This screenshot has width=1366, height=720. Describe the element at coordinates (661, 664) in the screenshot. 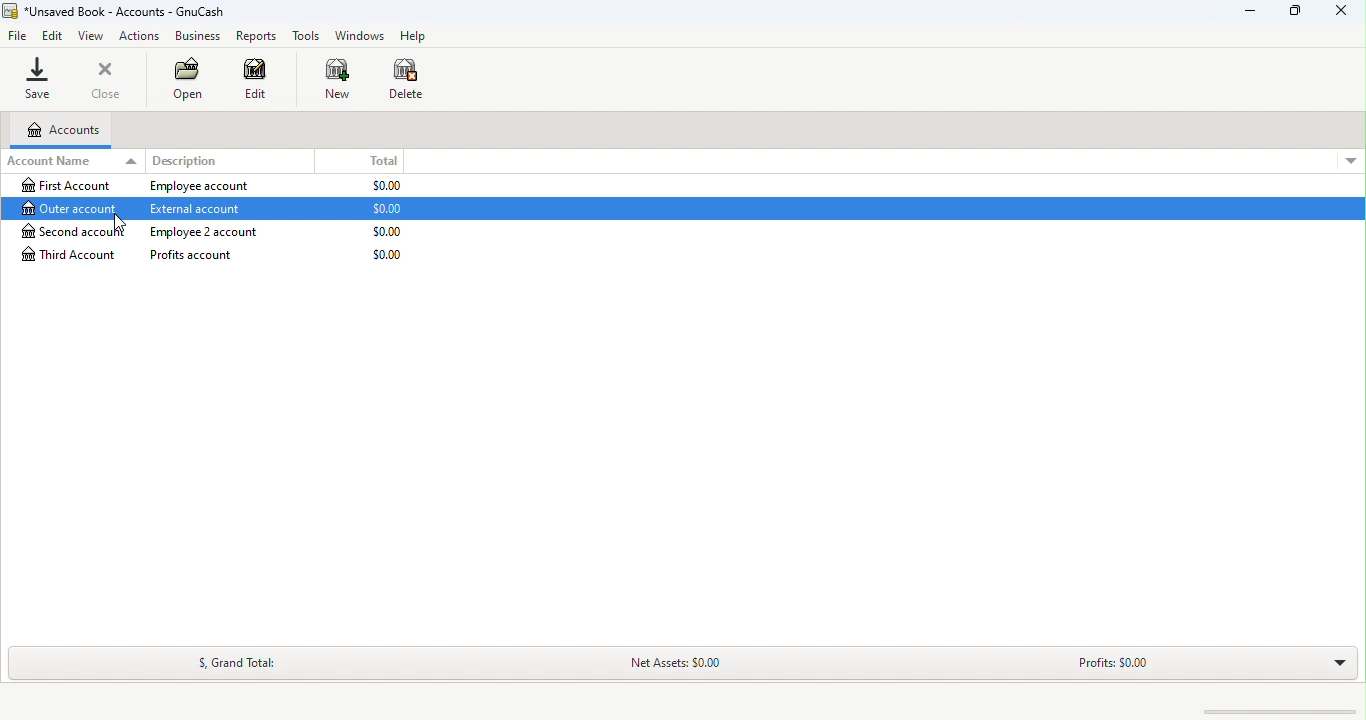

I see `Net assets` at that location.